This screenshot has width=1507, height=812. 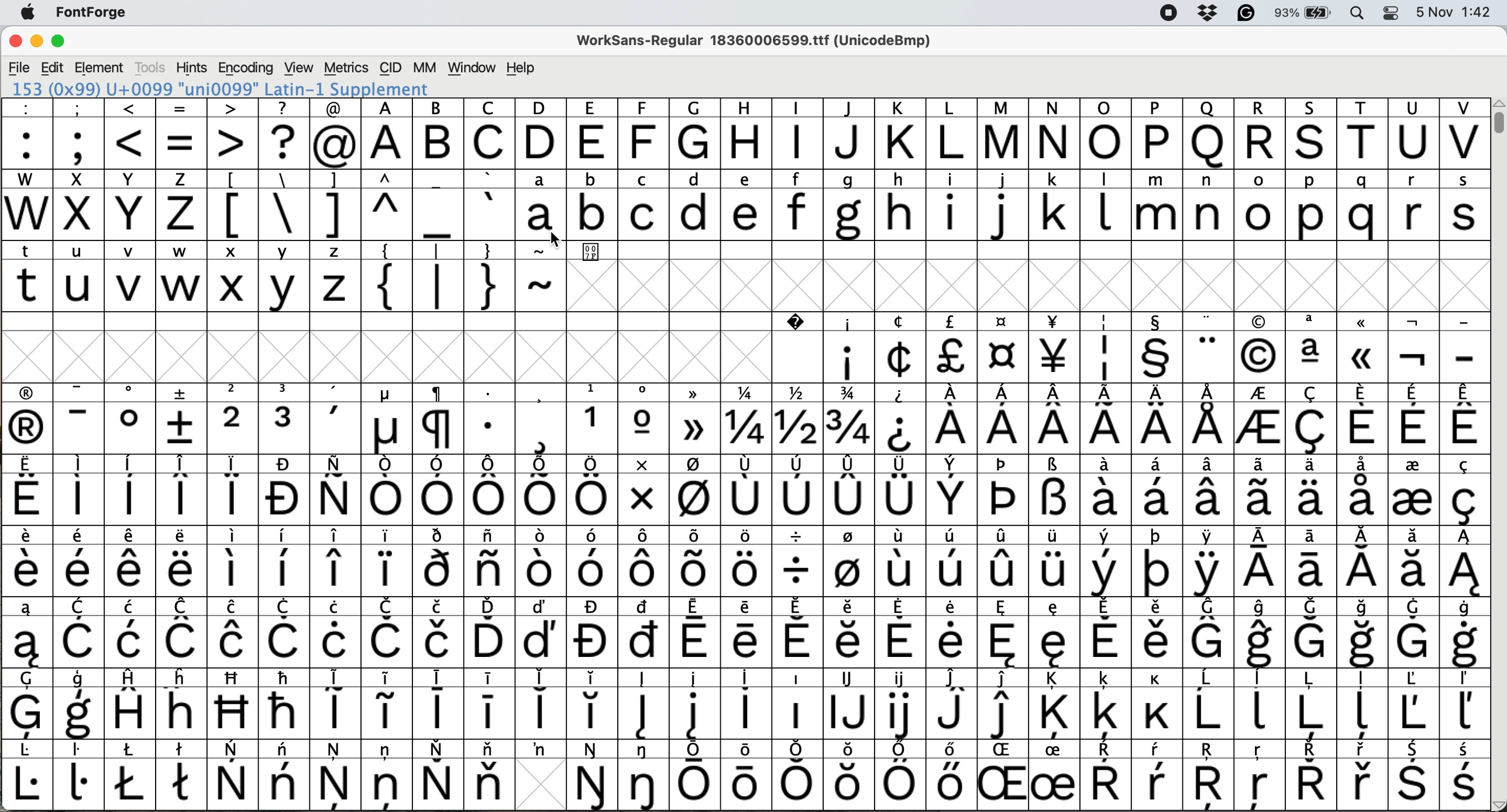 I want to click on symbol, so click(x=487, y=702).